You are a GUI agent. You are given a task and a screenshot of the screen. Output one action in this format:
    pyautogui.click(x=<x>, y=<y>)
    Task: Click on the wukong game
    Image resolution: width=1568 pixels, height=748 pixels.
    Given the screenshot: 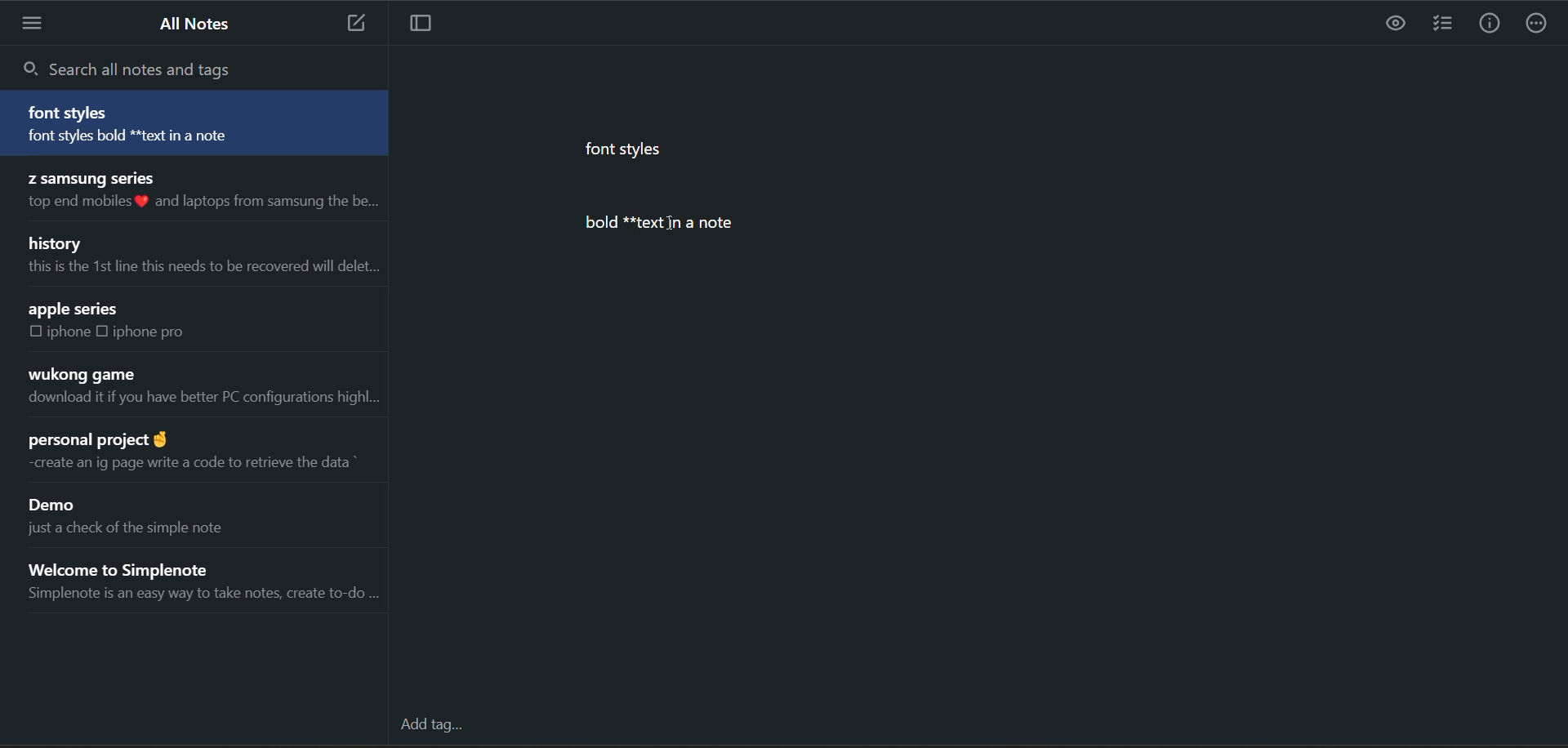 What is the action you would take?
    pyautogui.click(x=80, y=375)
    